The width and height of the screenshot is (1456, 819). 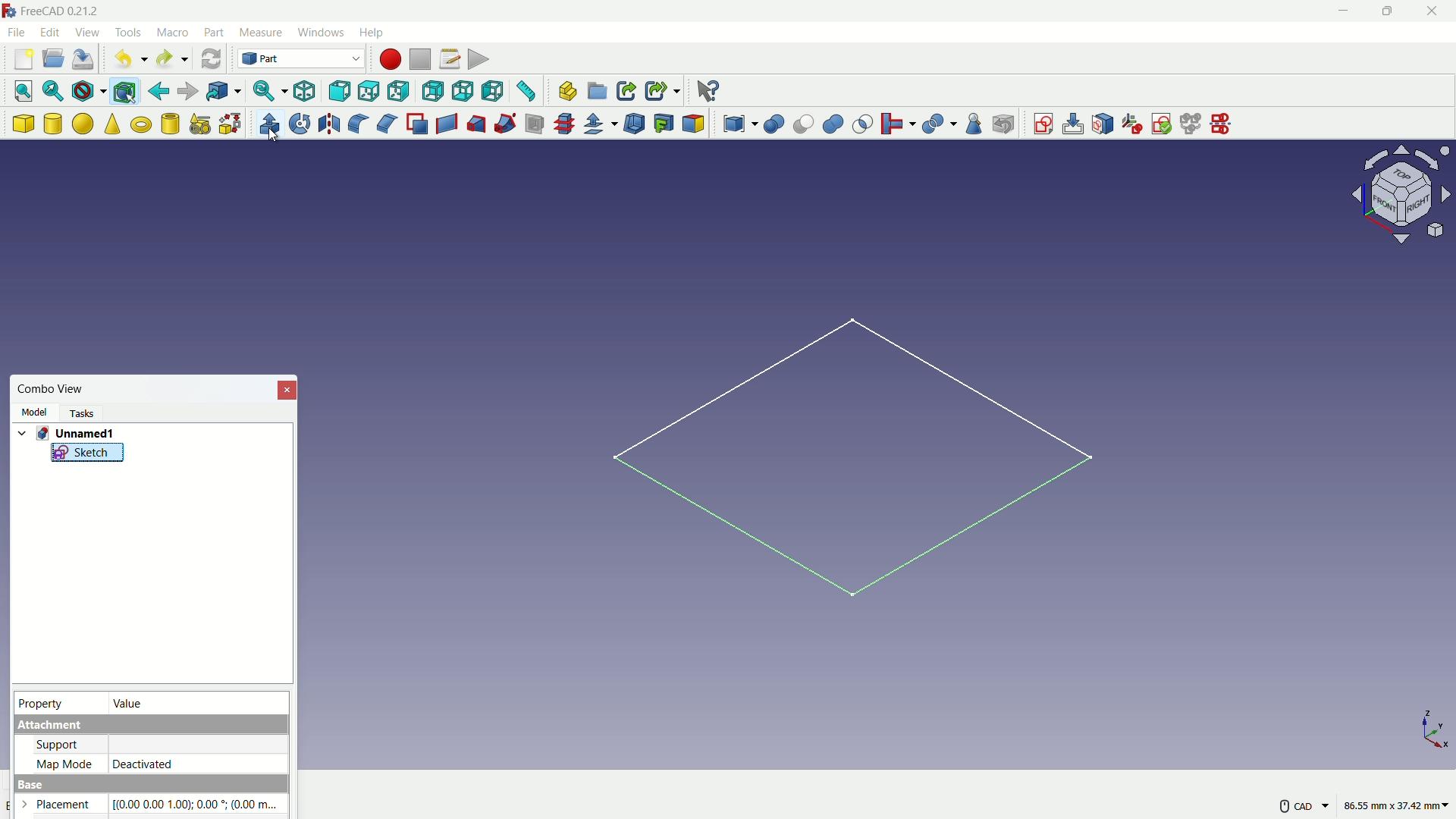 What do you see at coordinates (124, 93) in the screenshot?
I see `bounding box` at bounding box center [124, 93].